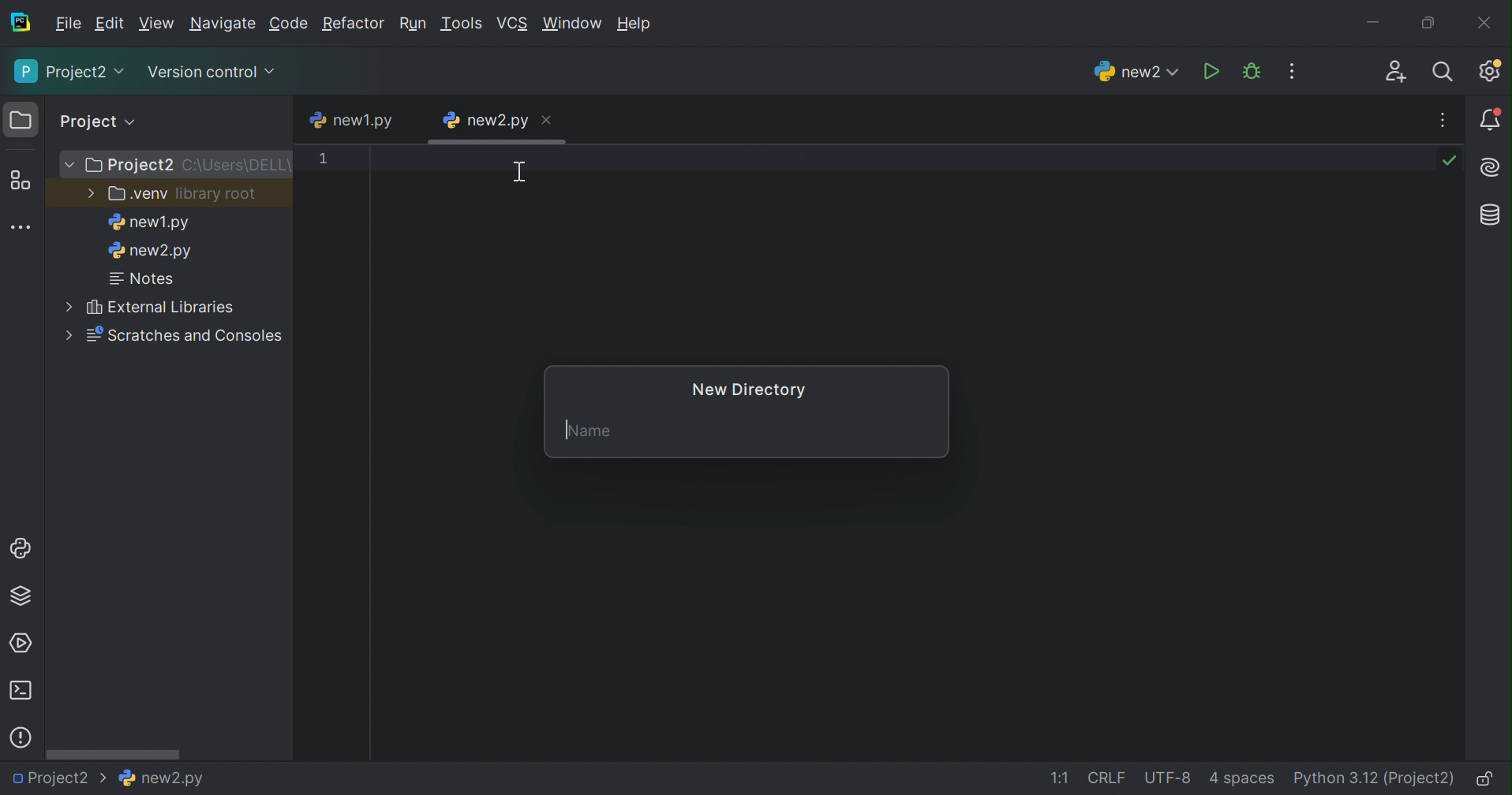 This screenshot has height=795, width=1512. What do you see at coordinates (66, 24) in the screenshot?
I see `File` at bounding box center [66, 24].